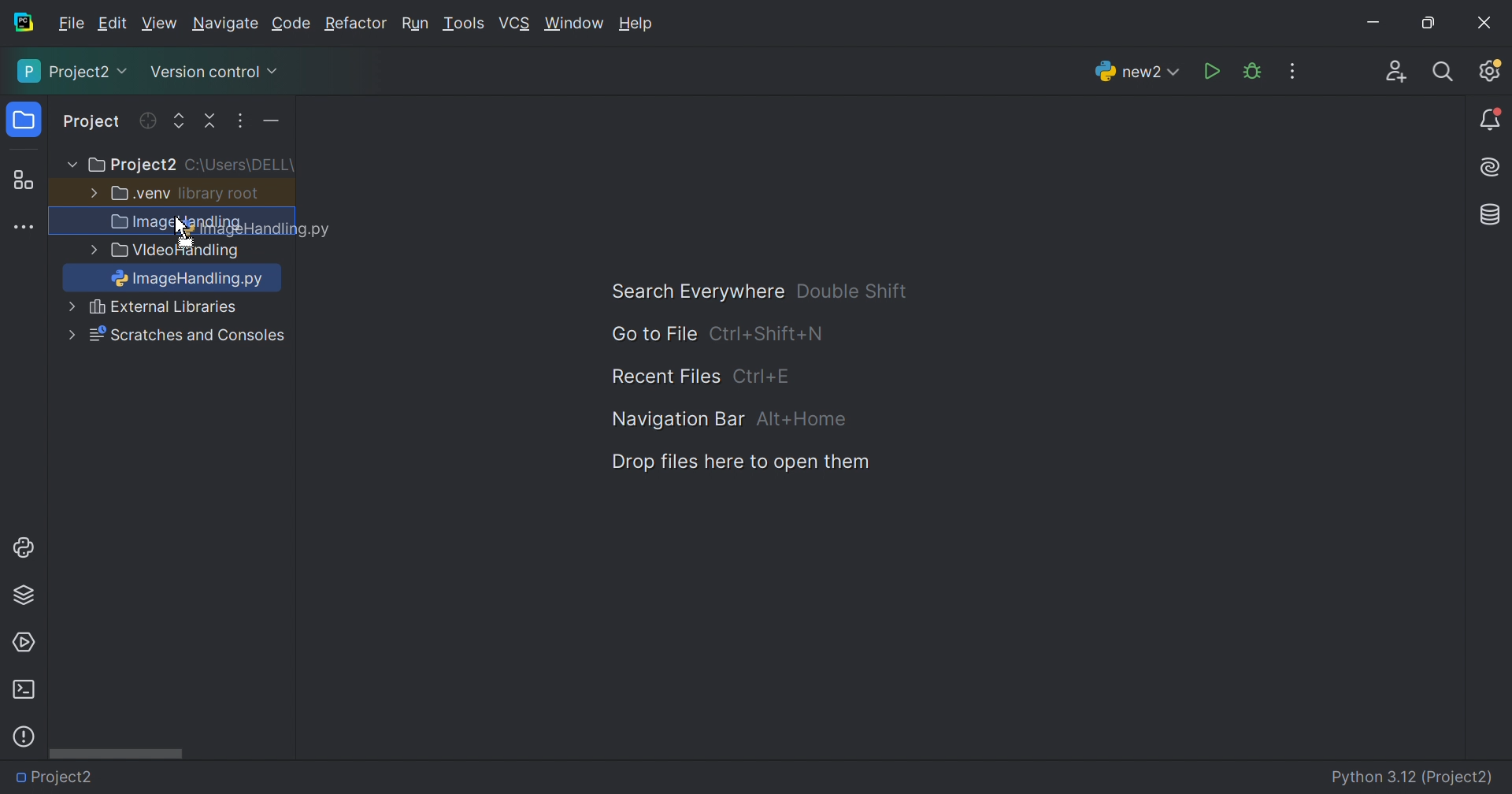 The height and width of the screenshot is (794, 1512). I want to click on Project2, so click(62, 777).